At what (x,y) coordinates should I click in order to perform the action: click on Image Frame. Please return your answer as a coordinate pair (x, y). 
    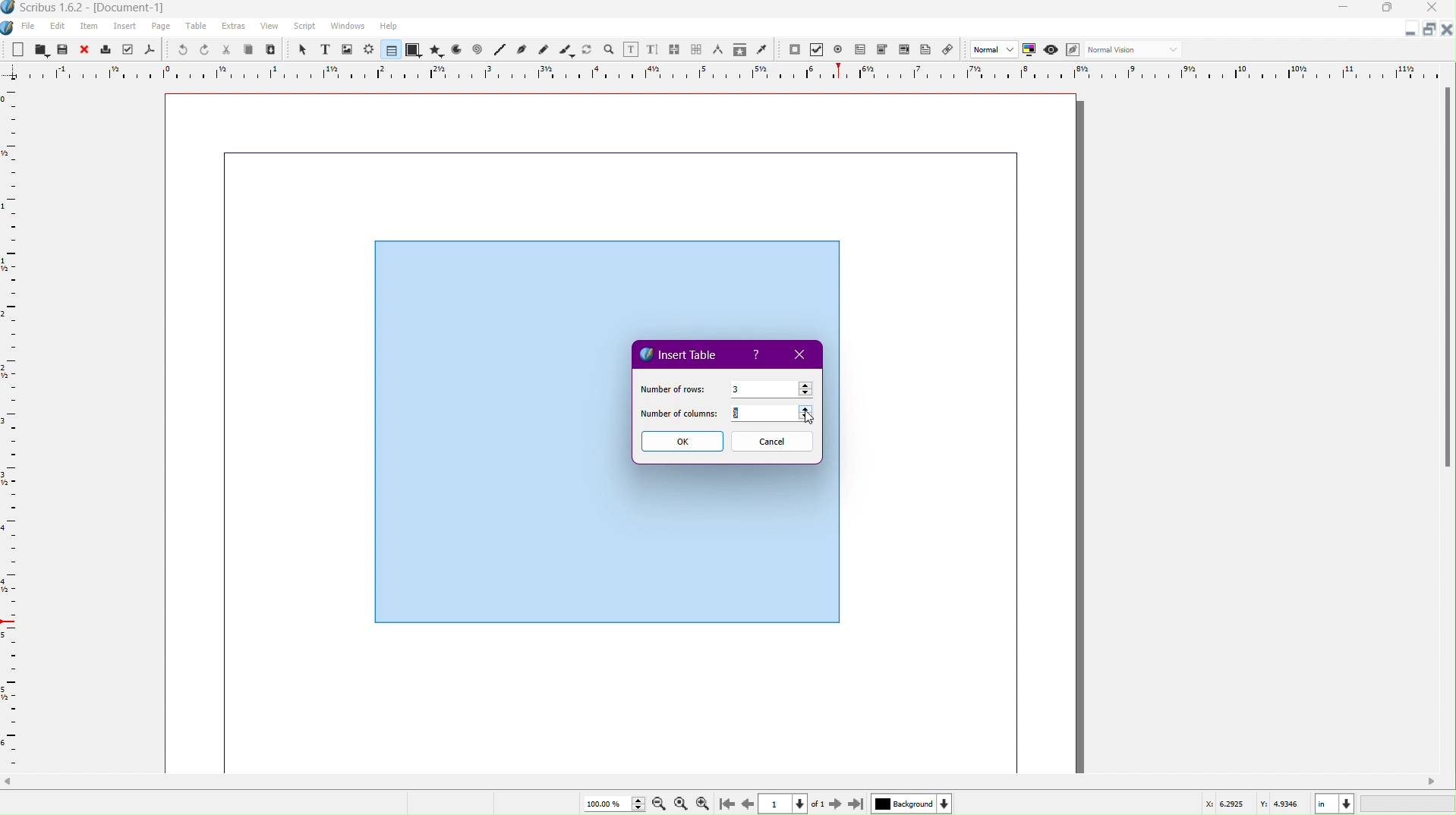
    Looking at the image, I should click on (348, 49).